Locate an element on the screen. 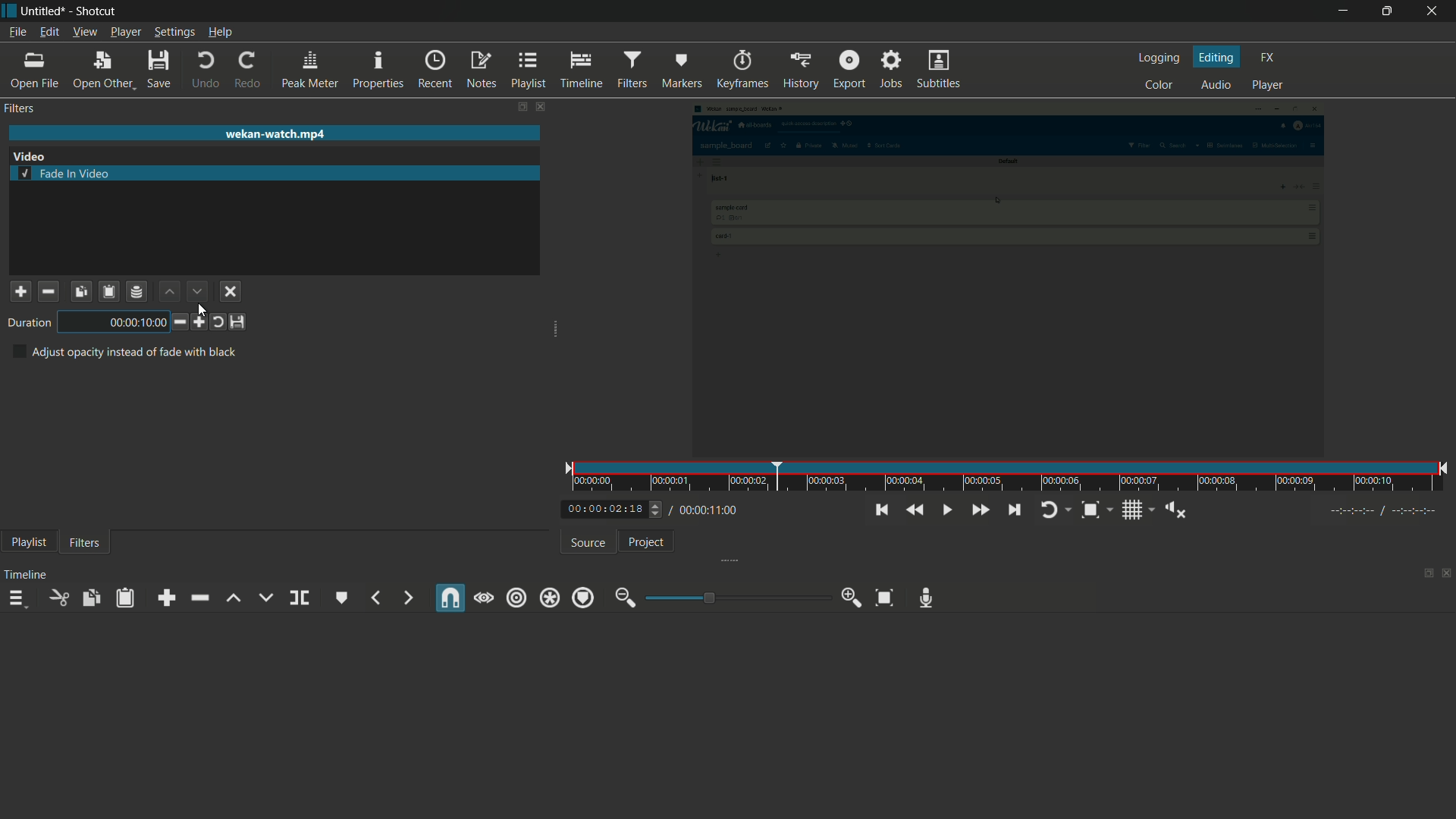  open file is located at coordinates (33, 71).